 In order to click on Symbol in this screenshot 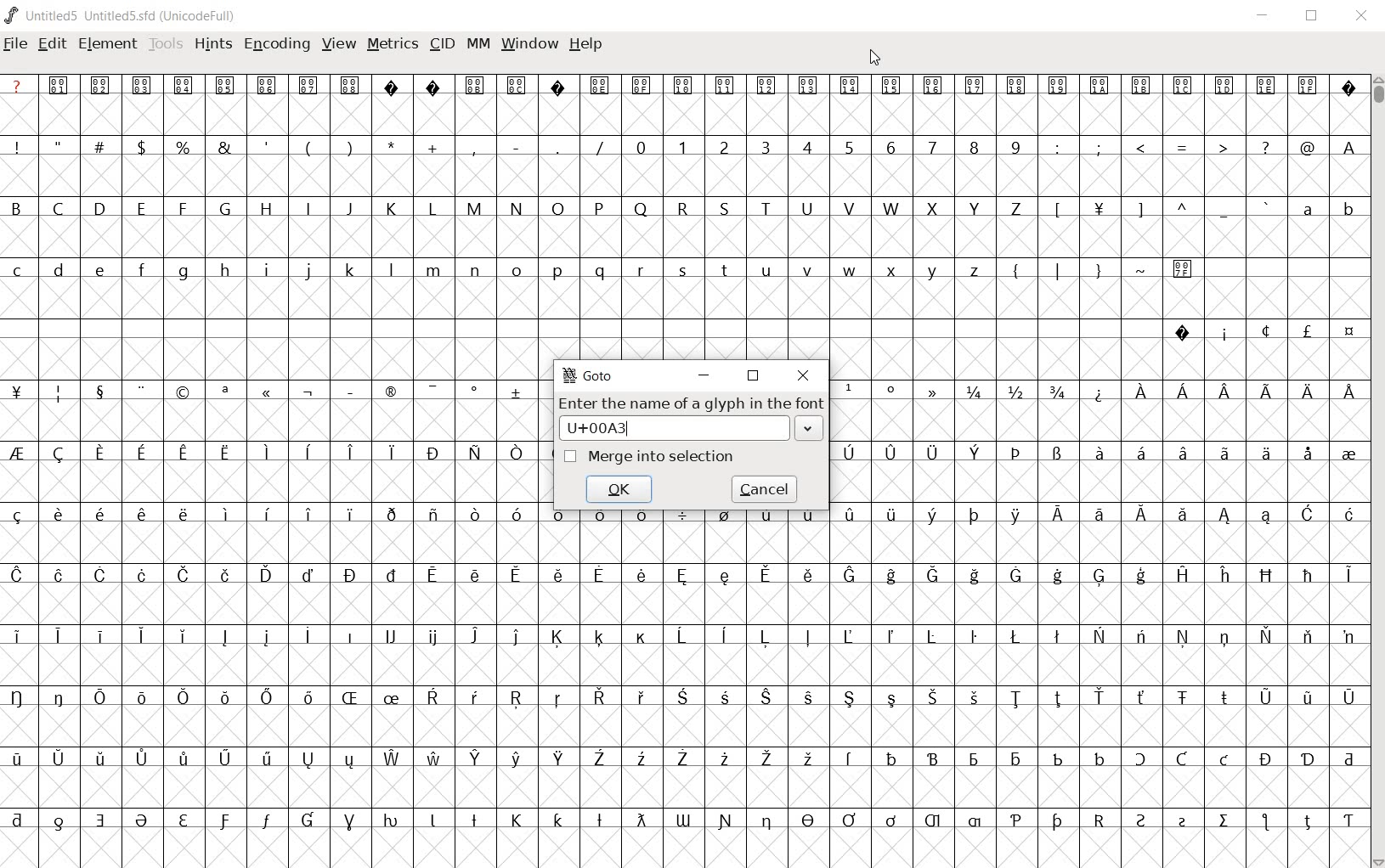, I will do `click(723, 518)`.